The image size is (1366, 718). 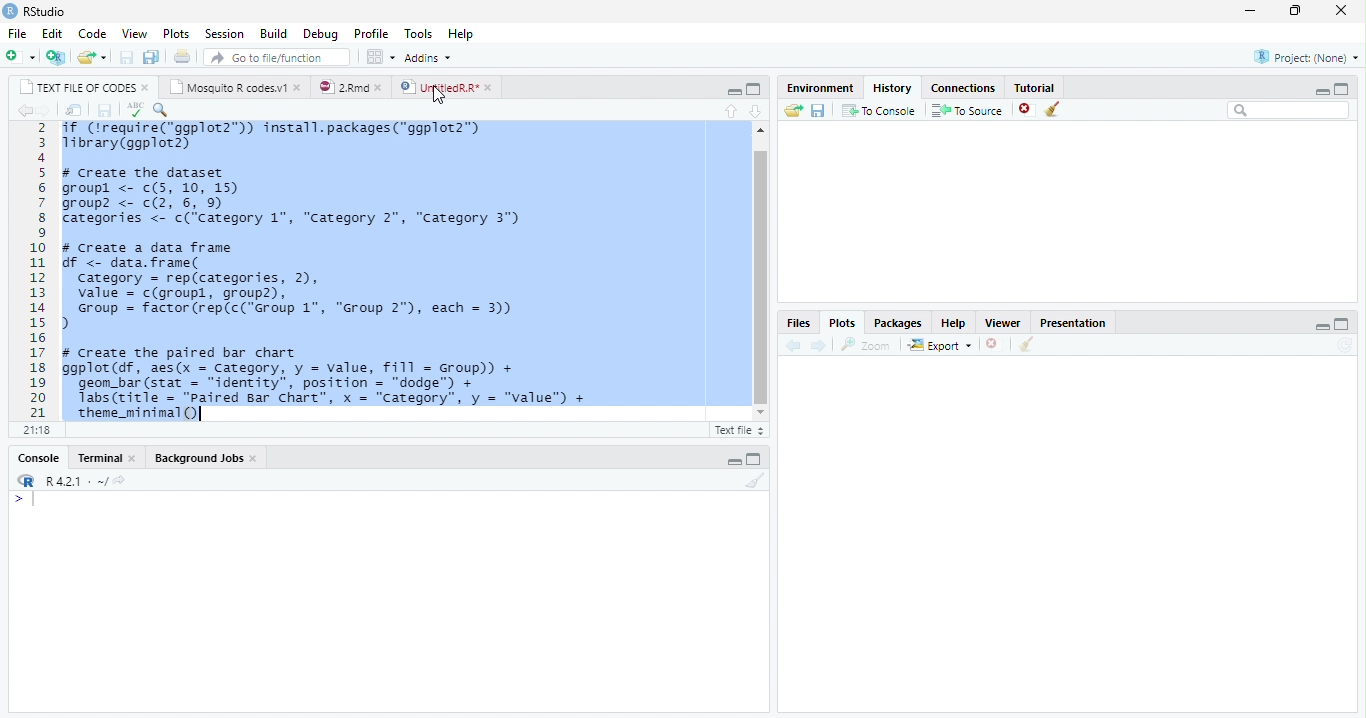 What do you see at coordinates (134, 109) in the screenshot?
I see `corect spellings` at bounding box center [134, 109].